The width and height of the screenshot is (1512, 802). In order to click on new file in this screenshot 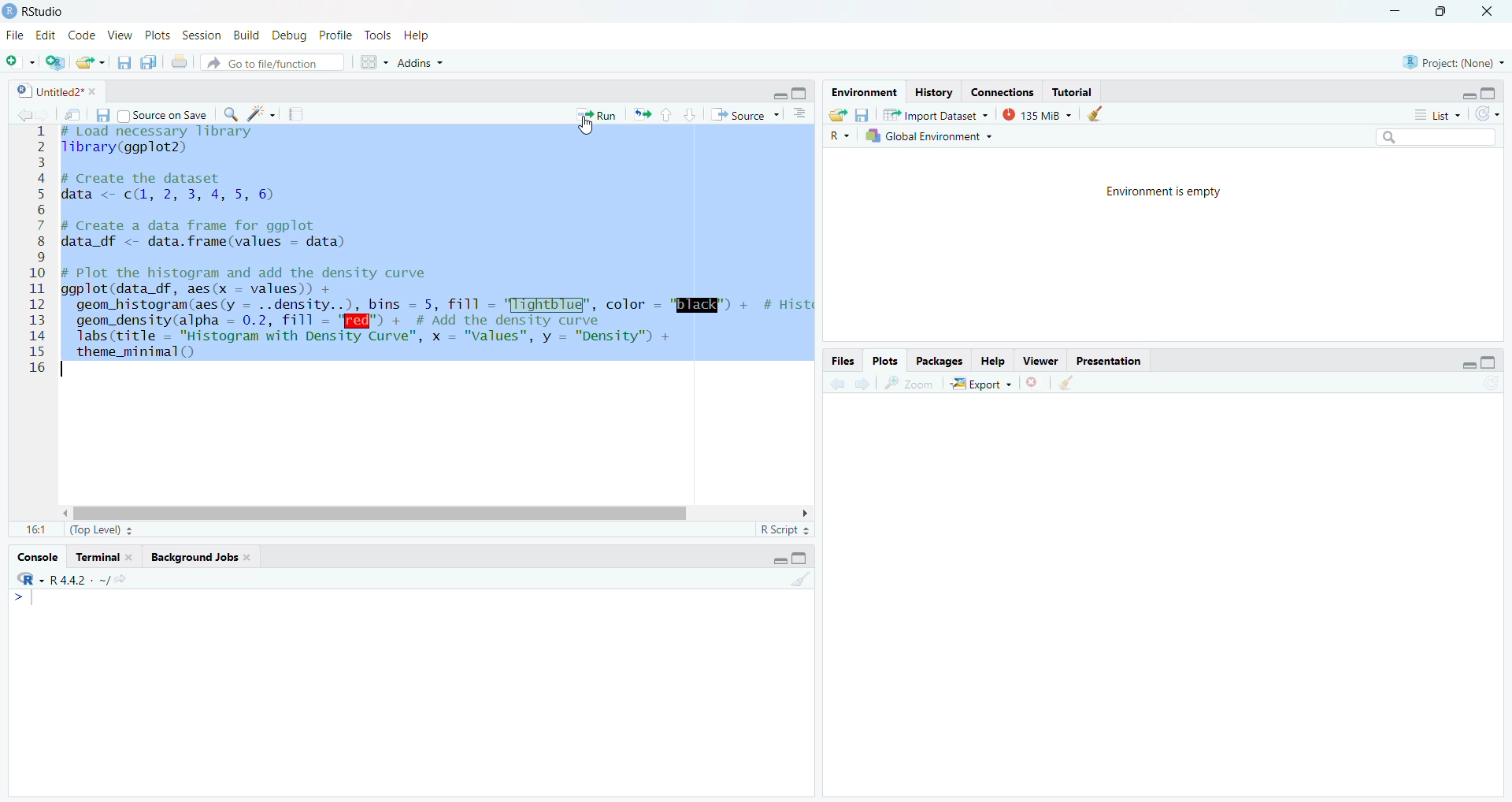, I will do `click(19, 63)`.